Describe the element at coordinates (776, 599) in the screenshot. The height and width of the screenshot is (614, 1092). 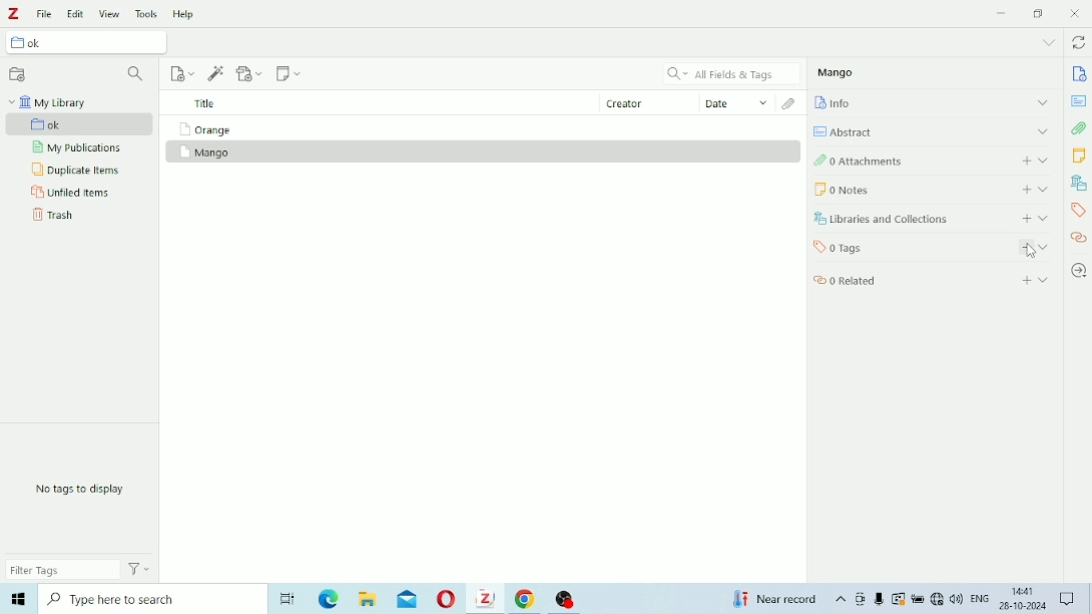
I see `Temperature` at that location.